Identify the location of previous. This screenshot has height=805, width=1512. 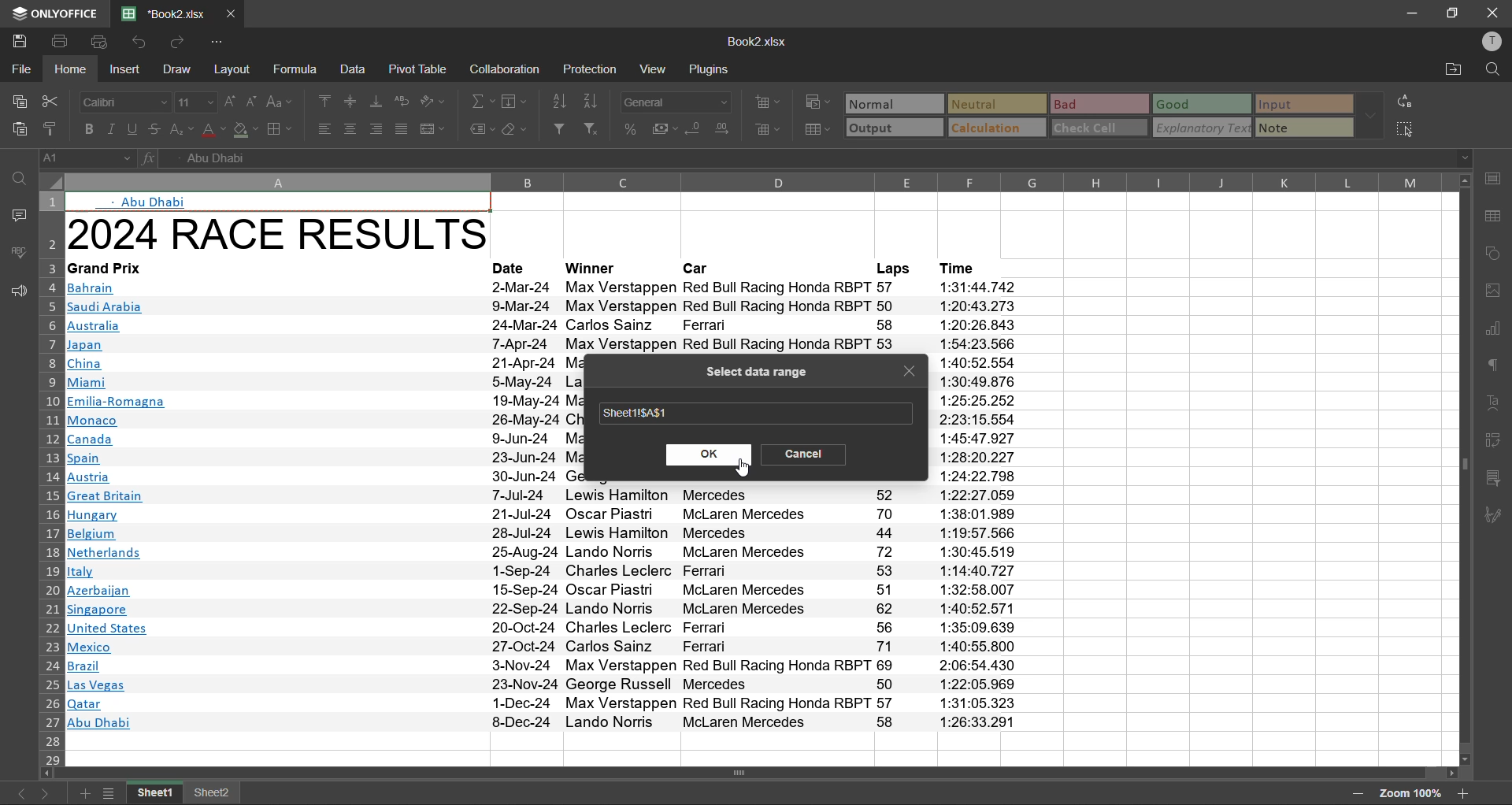
(13, 792).